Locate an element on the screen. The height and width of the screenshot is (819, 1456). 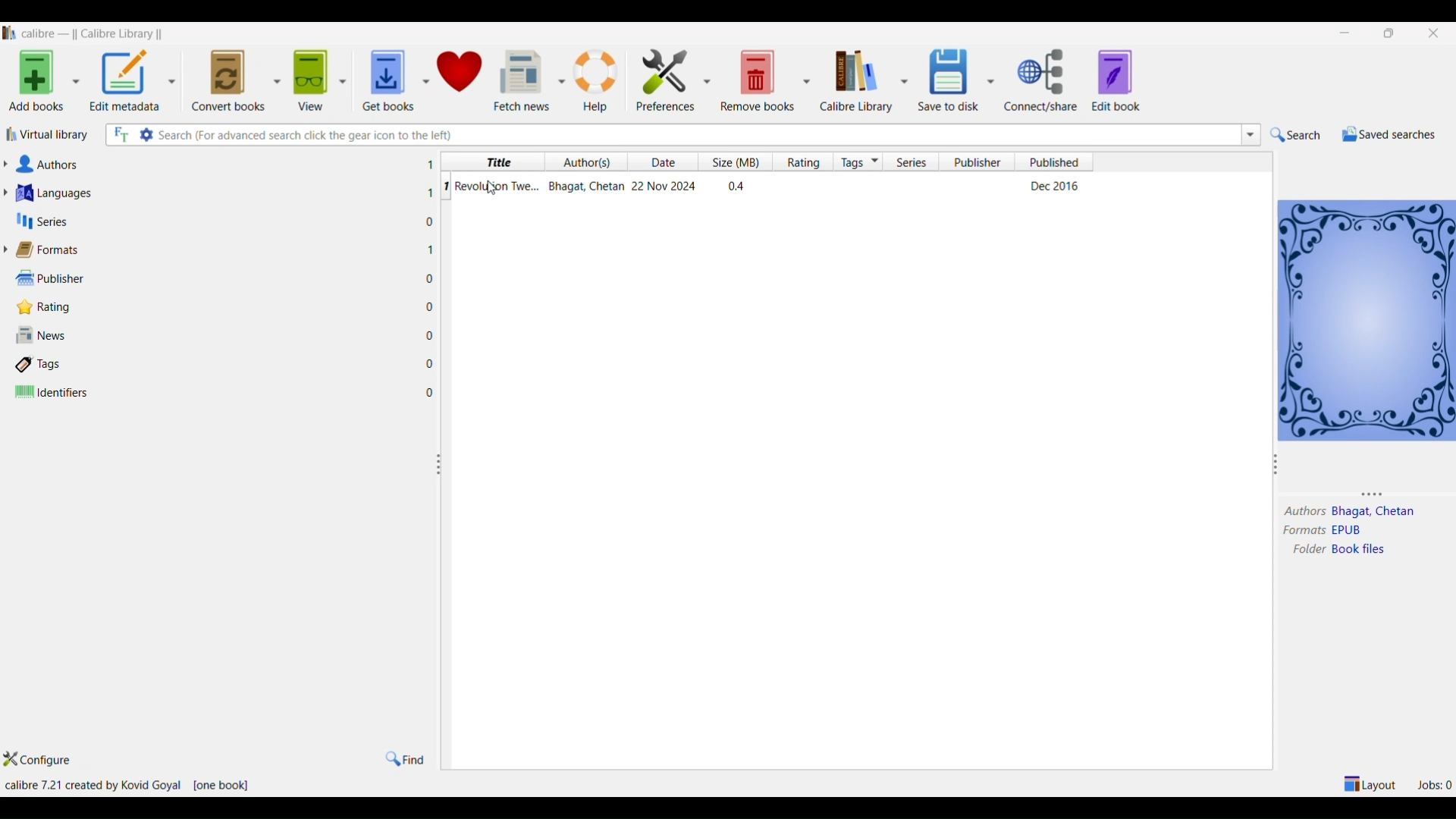
calibre version and creator is located at coordinates (92, 786).